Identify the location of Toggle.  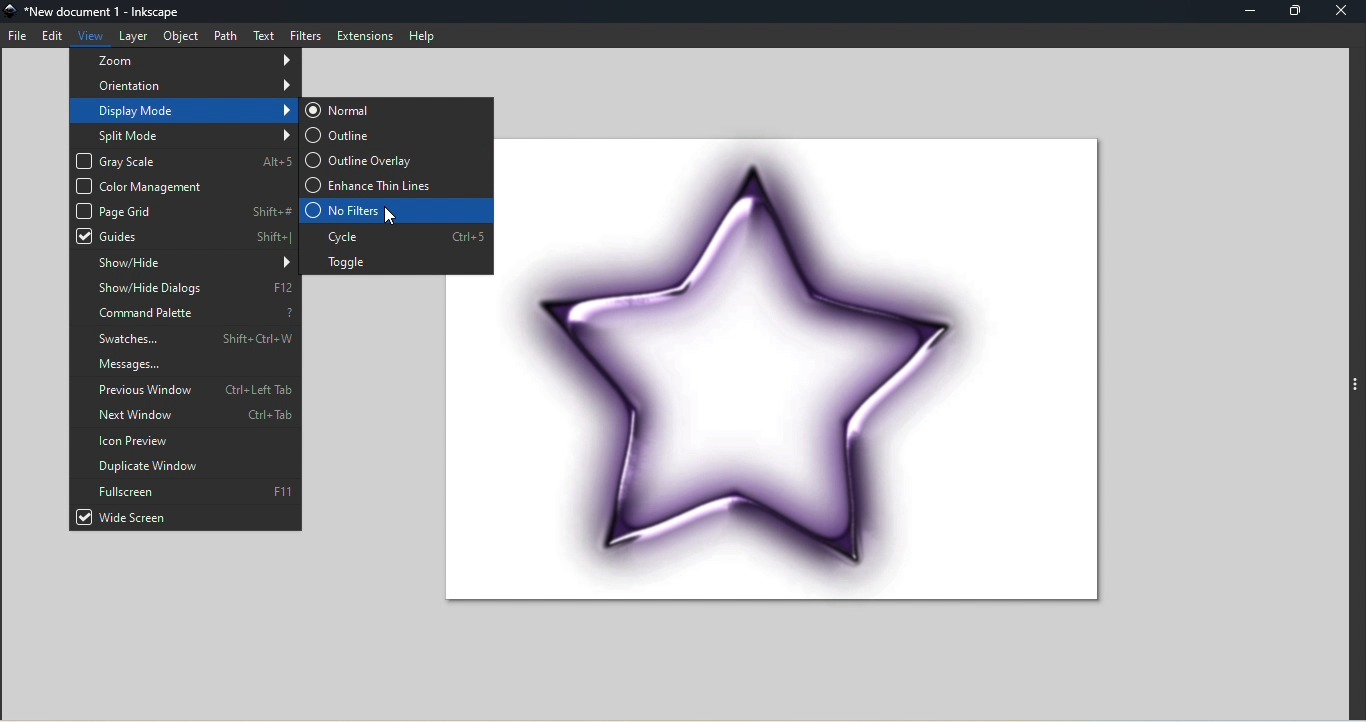
(397, 262).